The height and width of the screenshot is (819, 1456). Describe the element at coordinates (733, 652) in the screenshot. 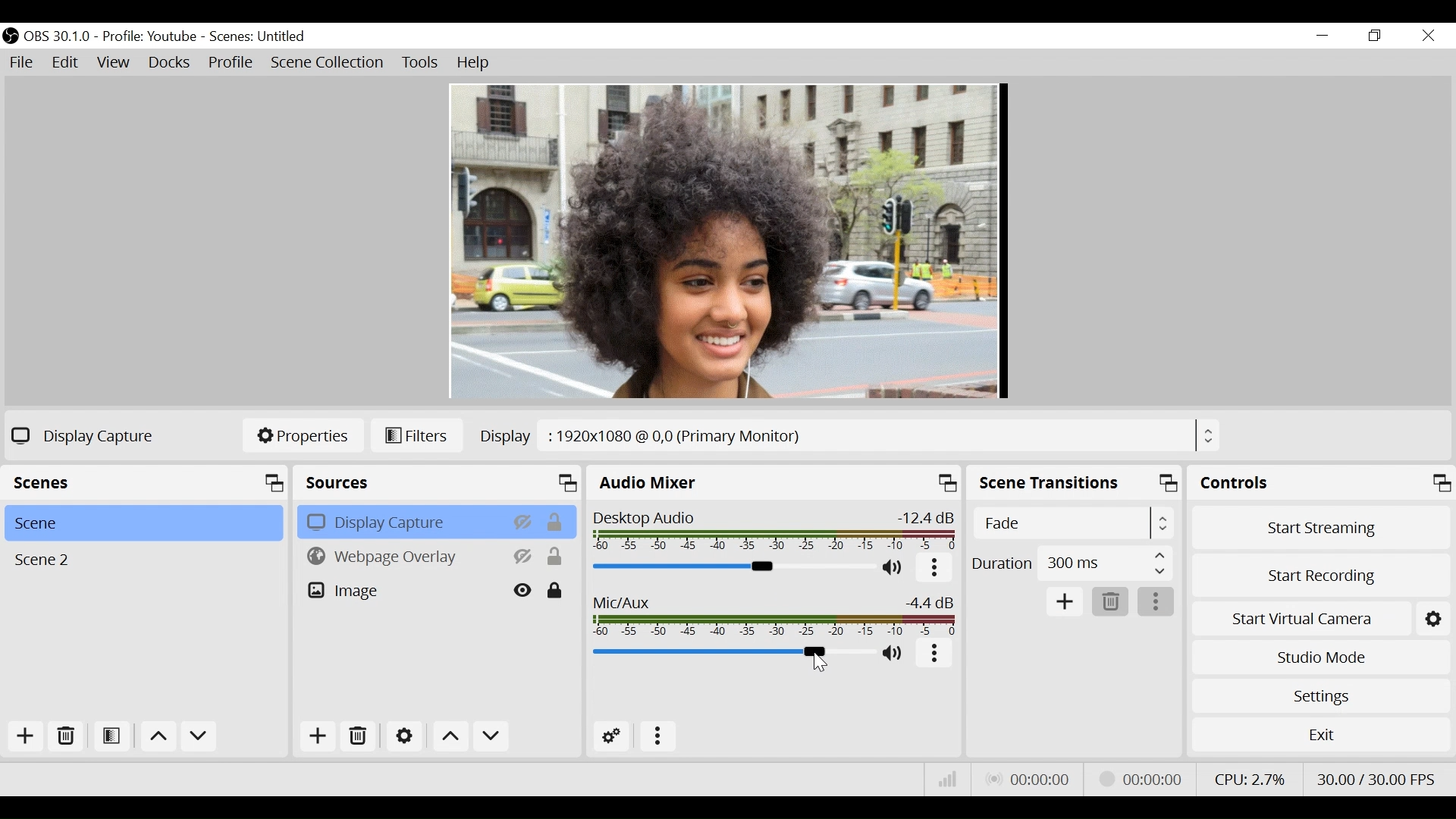

I see `Mic/Aux Slider` at that location.